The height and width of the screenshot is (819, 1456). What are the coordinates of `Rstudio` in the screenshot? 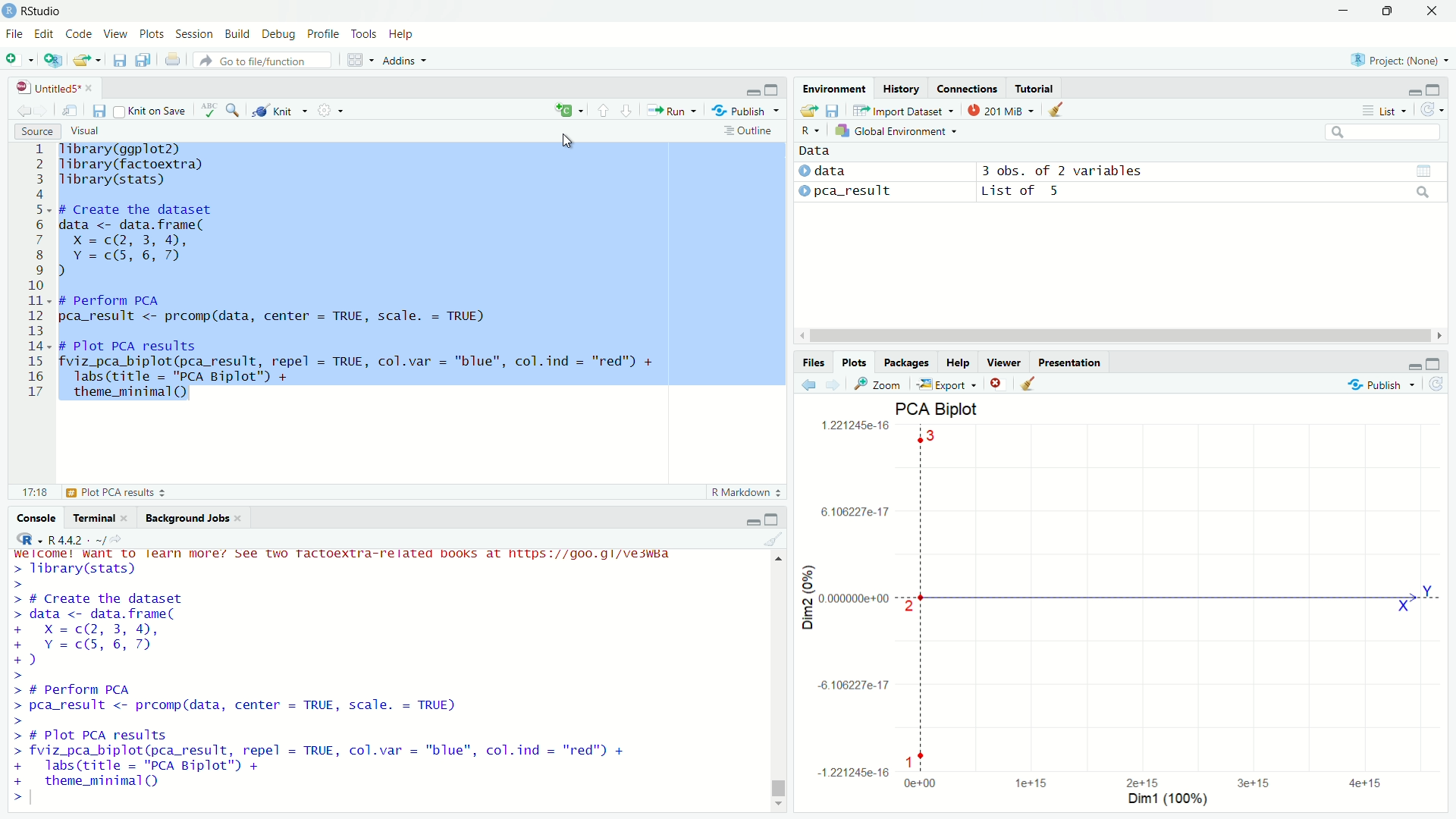 It's located at (50, 11).